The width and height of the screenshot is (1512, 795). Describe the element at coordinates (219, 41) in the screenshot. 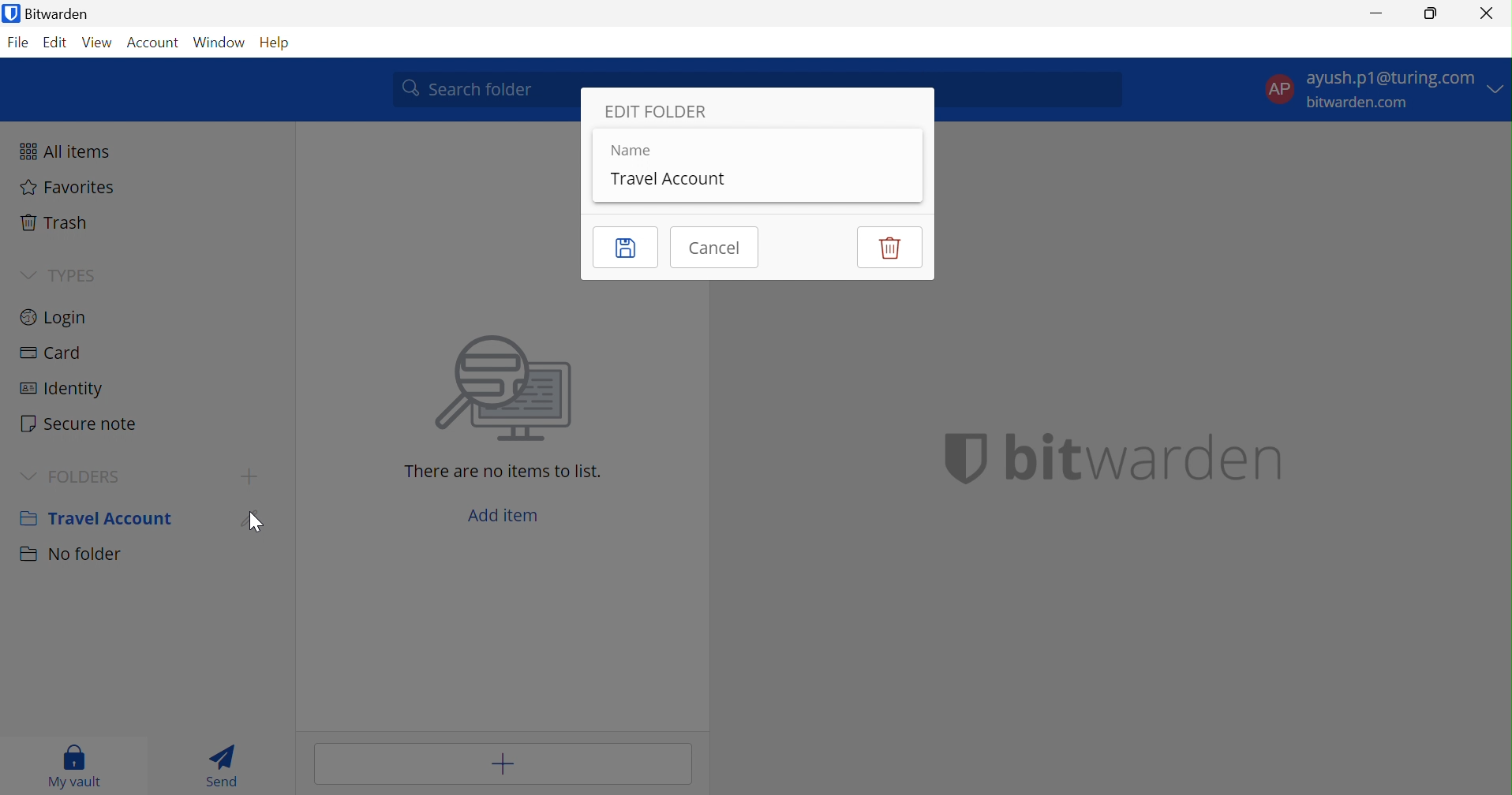

I see `Window` at that location.